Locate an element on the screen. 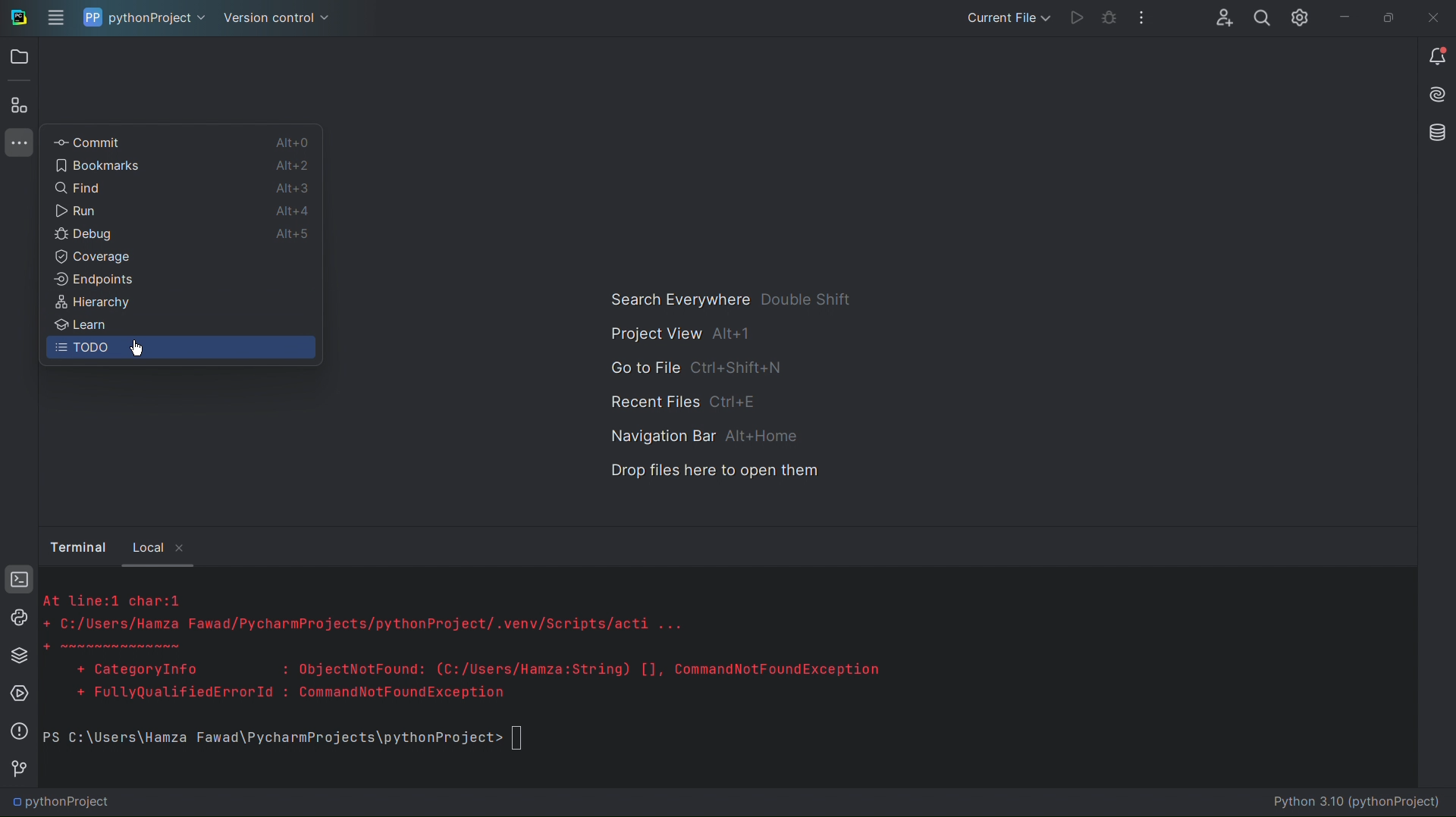 This screenshot has width=1456, height=817. Terminal is located at coordinates (14, 580).